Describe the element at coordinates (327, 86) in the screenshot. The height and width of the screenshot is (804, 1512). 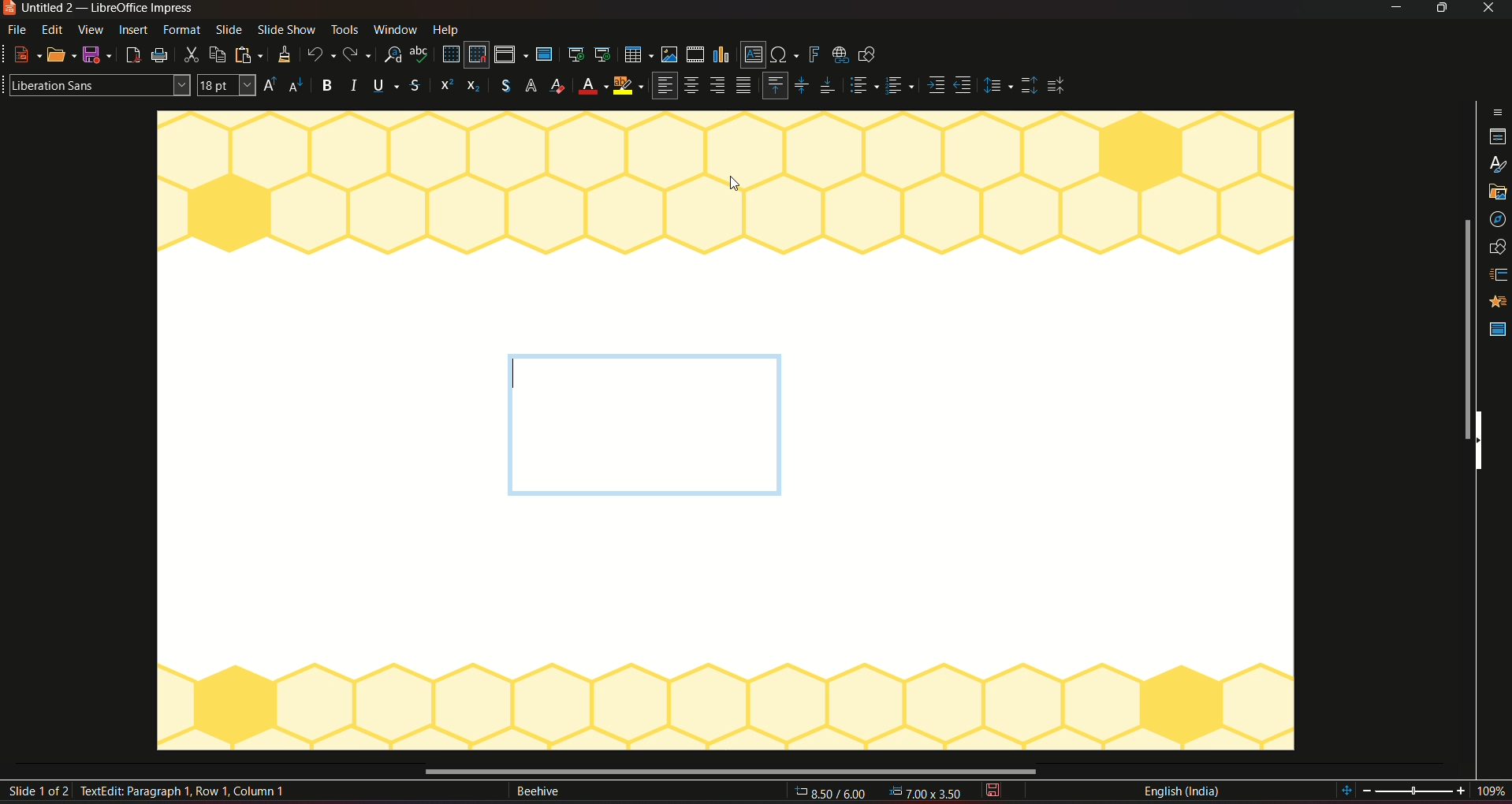
I see `Bold` at that location.